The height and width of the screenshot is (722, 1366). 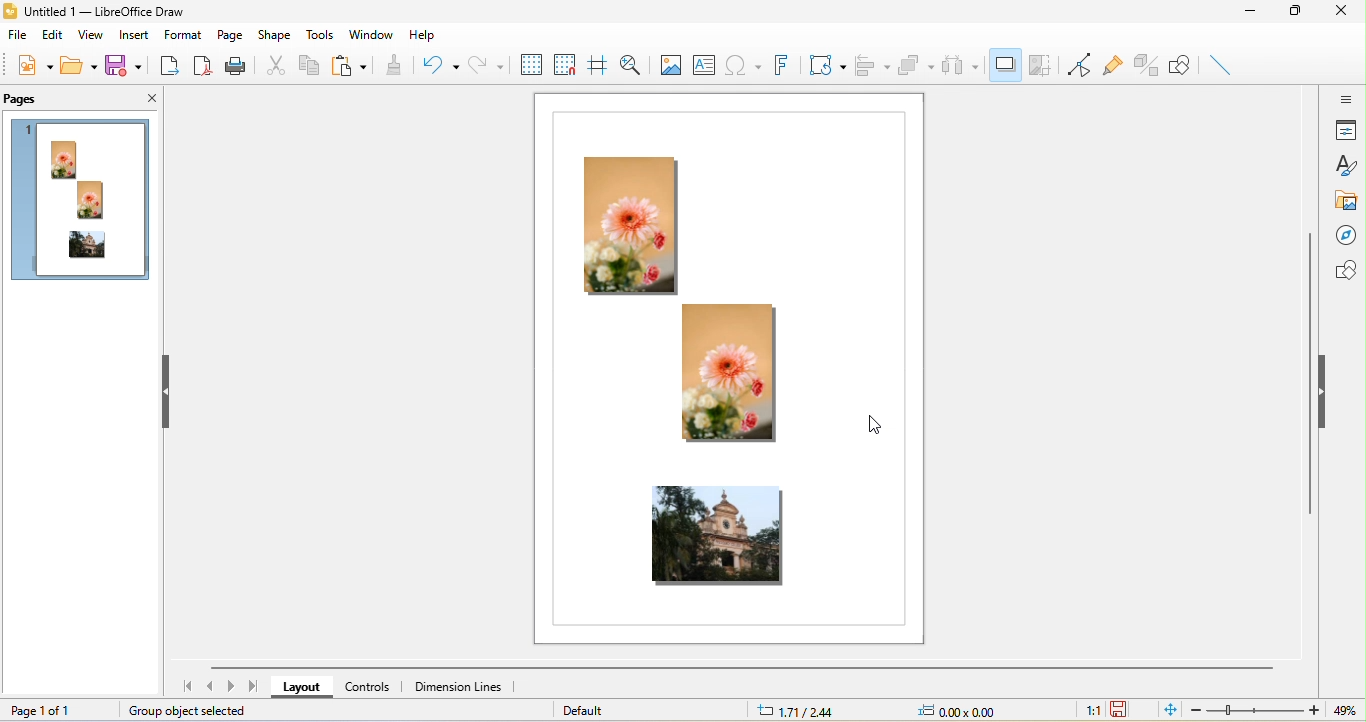 I want to click on toggle point edit mode, so click(x=1078, y=65).